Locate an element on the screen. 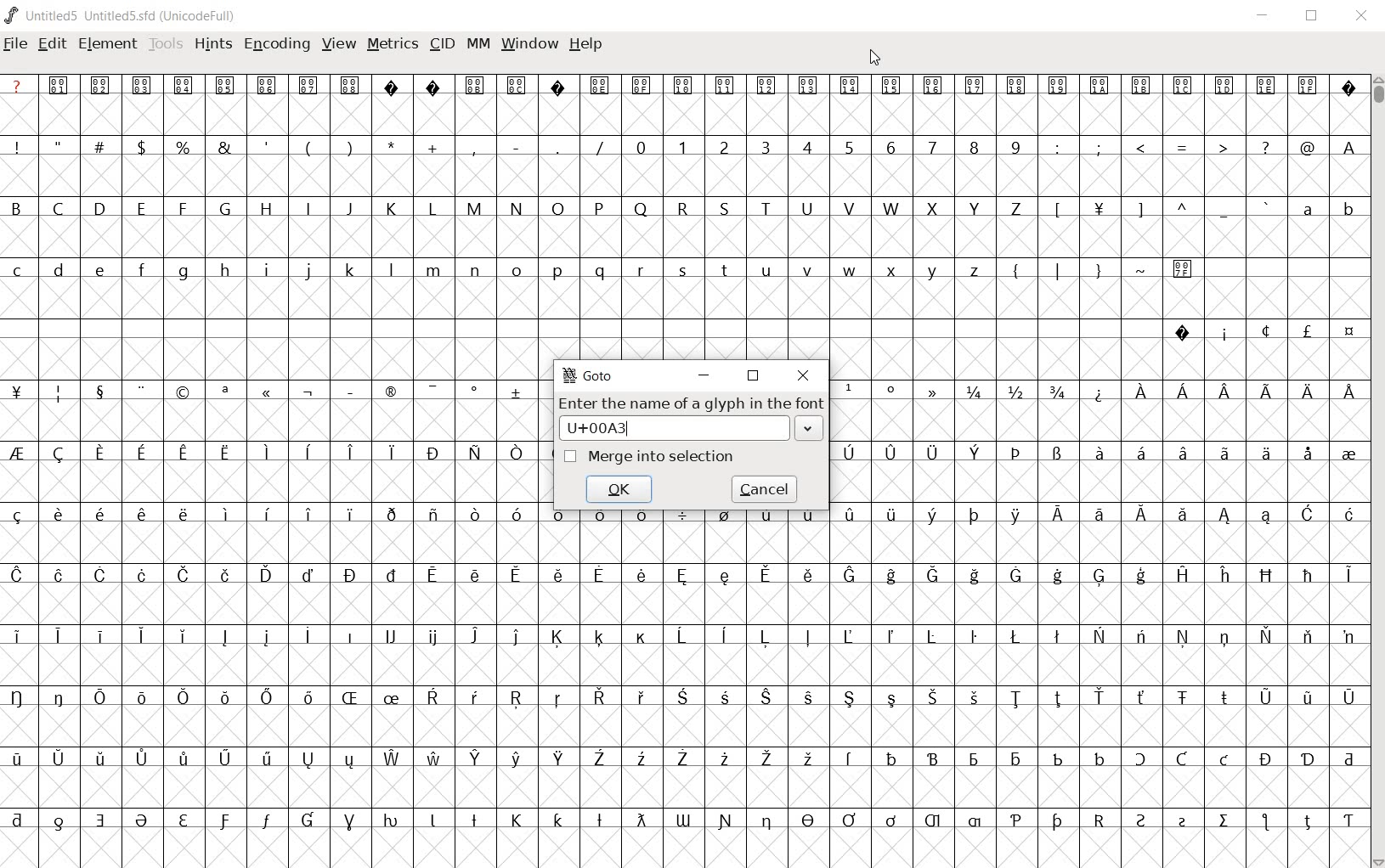 The width and height of the screenshot is (1385, 868). Symbol is located at coordinates (432, 821).